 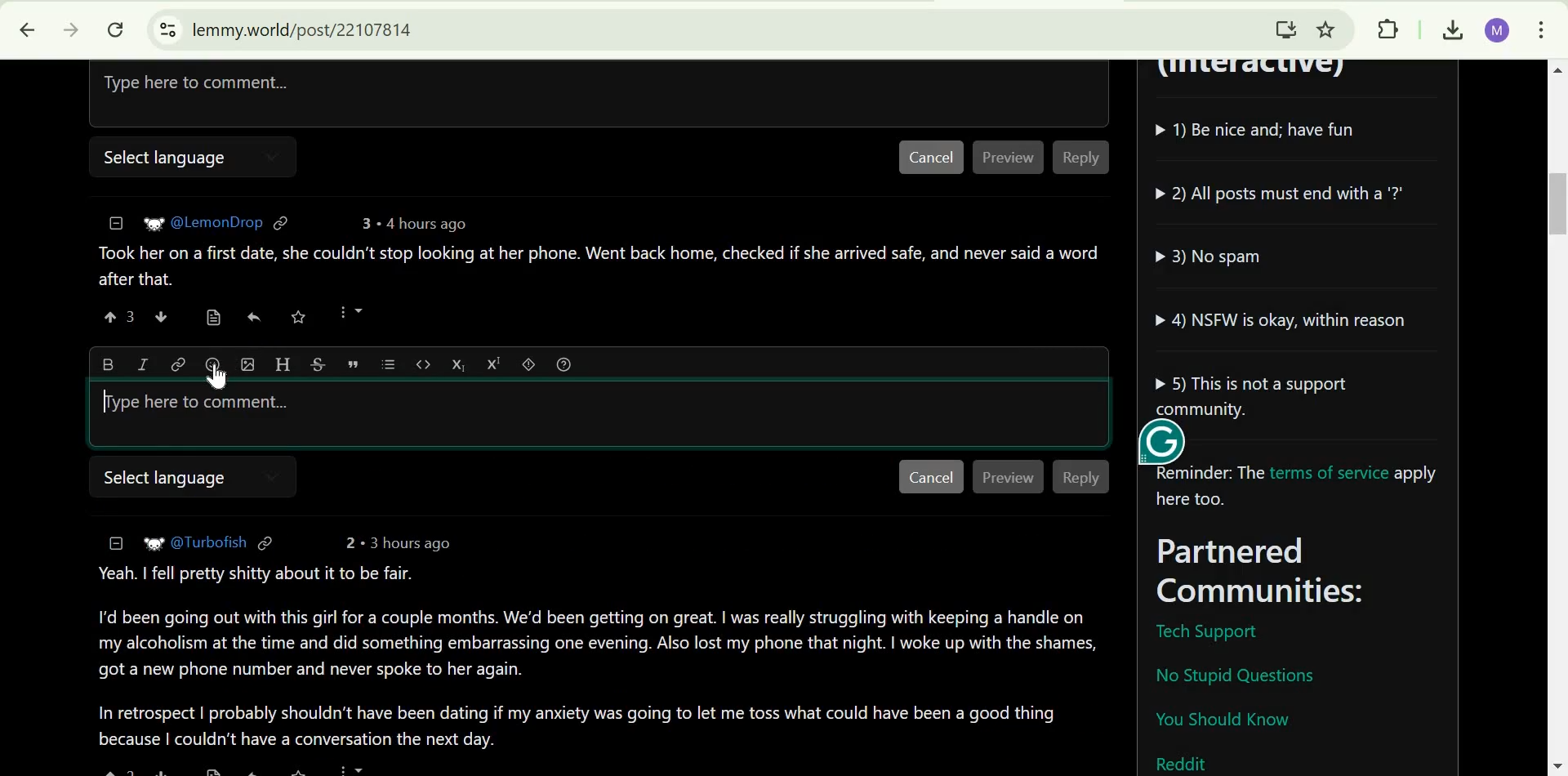 What do you see at coordinates (1302, 488) in the screenshot?
I see `Reminder: The terms of service apply here too.` at bounding box center [1302, 488].